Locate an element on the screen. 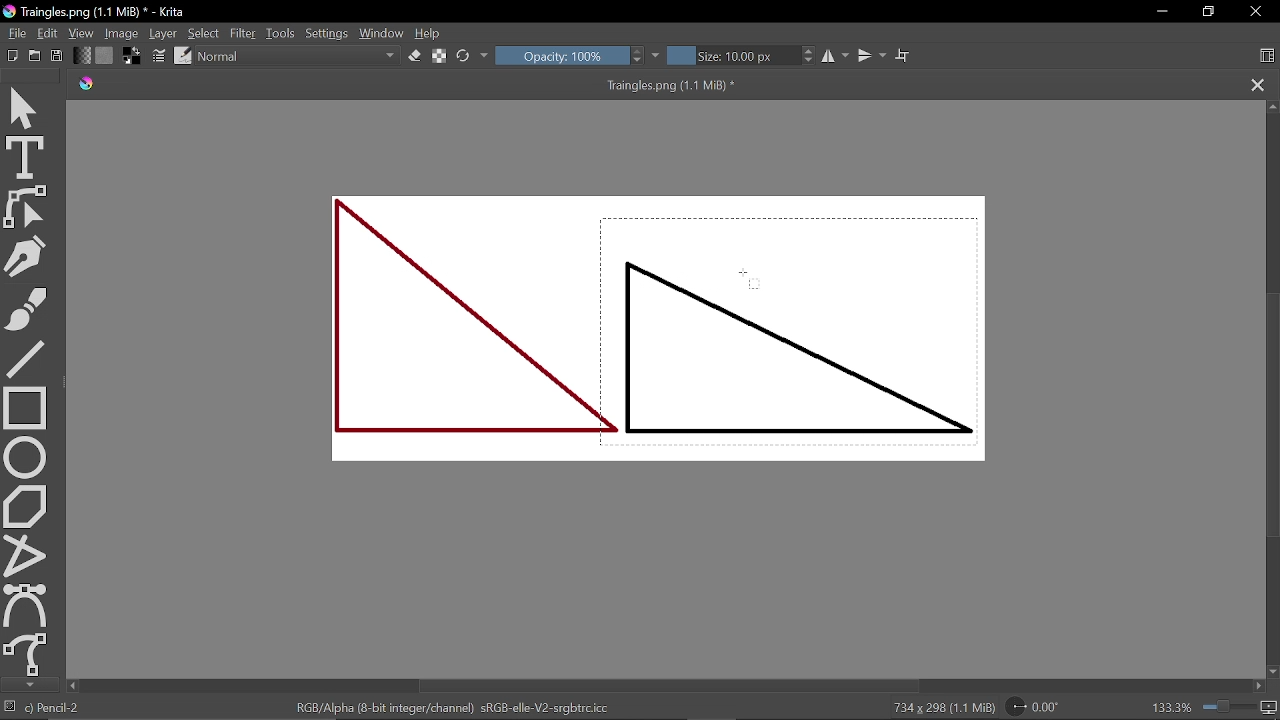 This screenshot has height=720, width=1280. Edit shapes tool is located at coordinates (24, 207).